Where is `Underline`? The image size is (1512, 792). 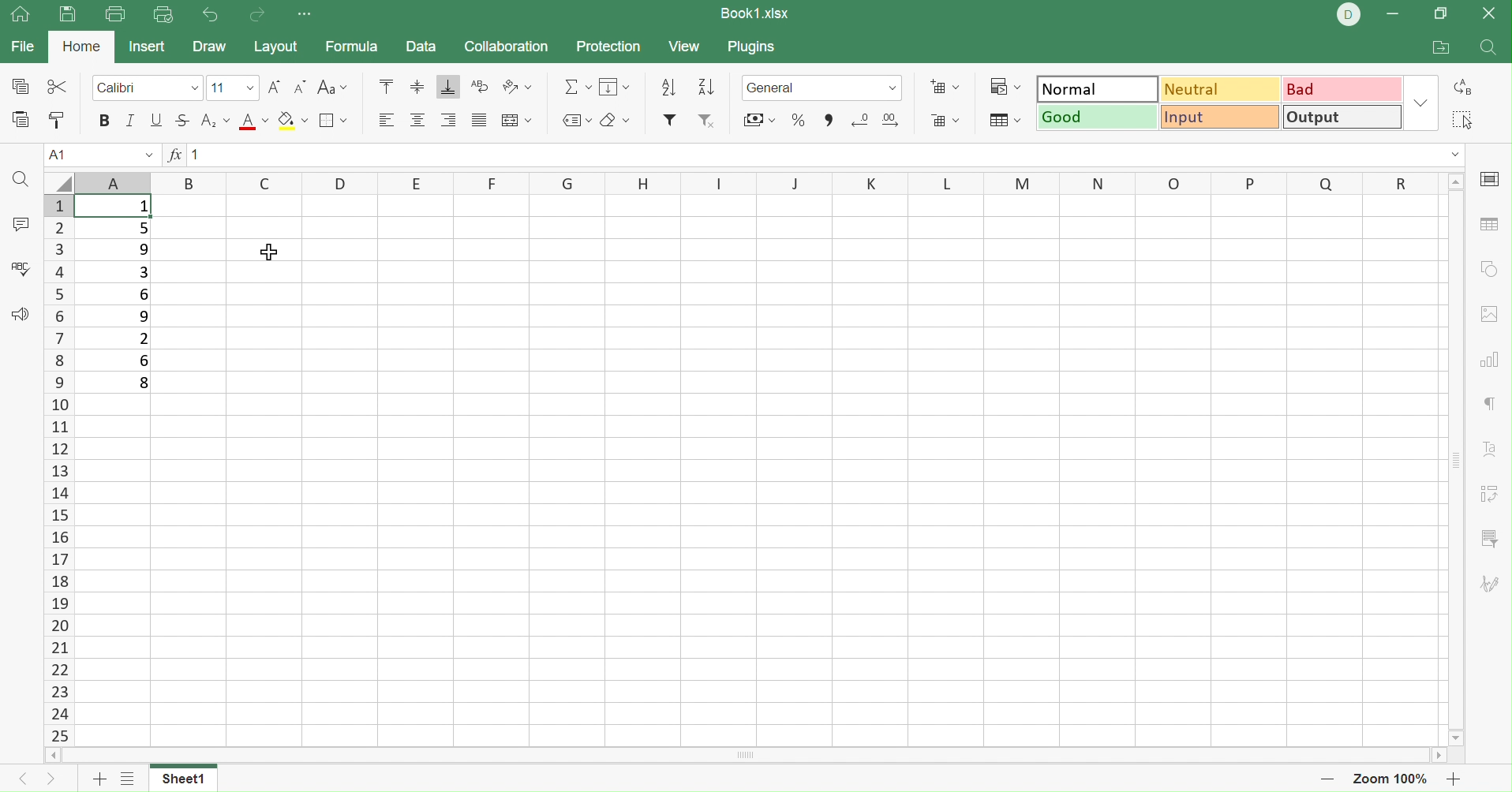 Underline is located at coordinates (156, 121).